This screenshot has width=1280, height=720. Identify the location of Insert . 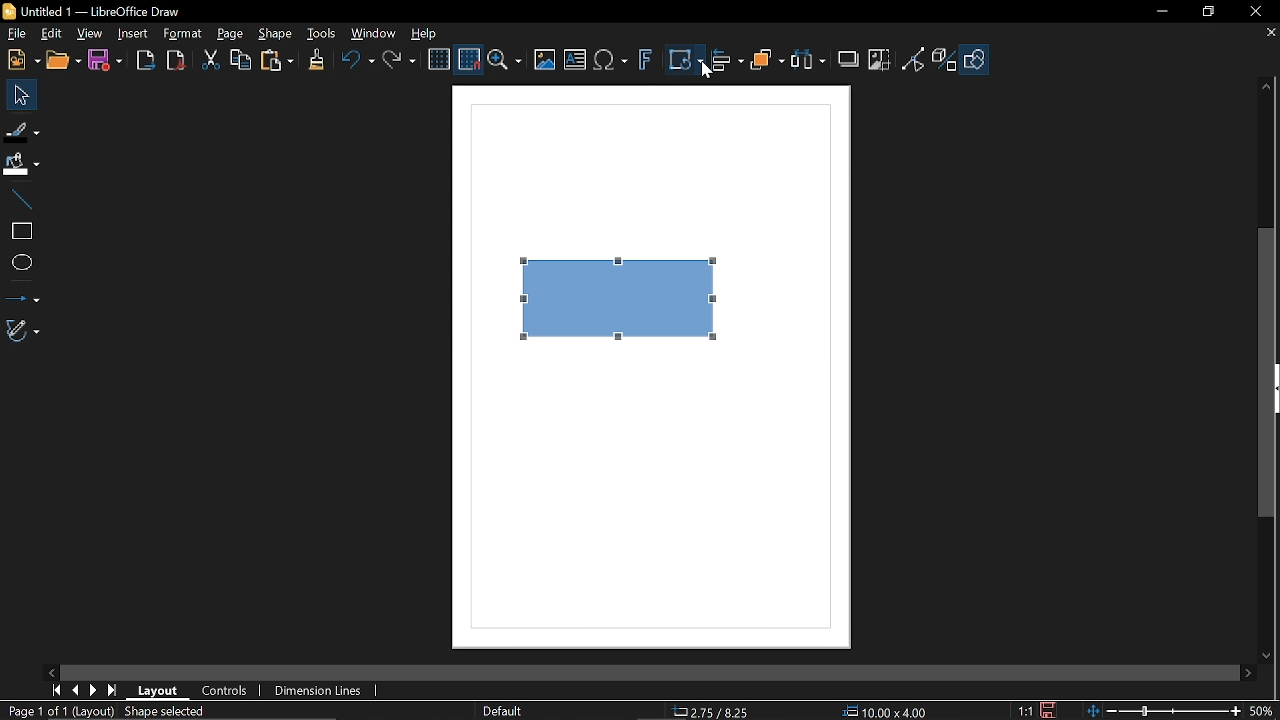
(132, 35).